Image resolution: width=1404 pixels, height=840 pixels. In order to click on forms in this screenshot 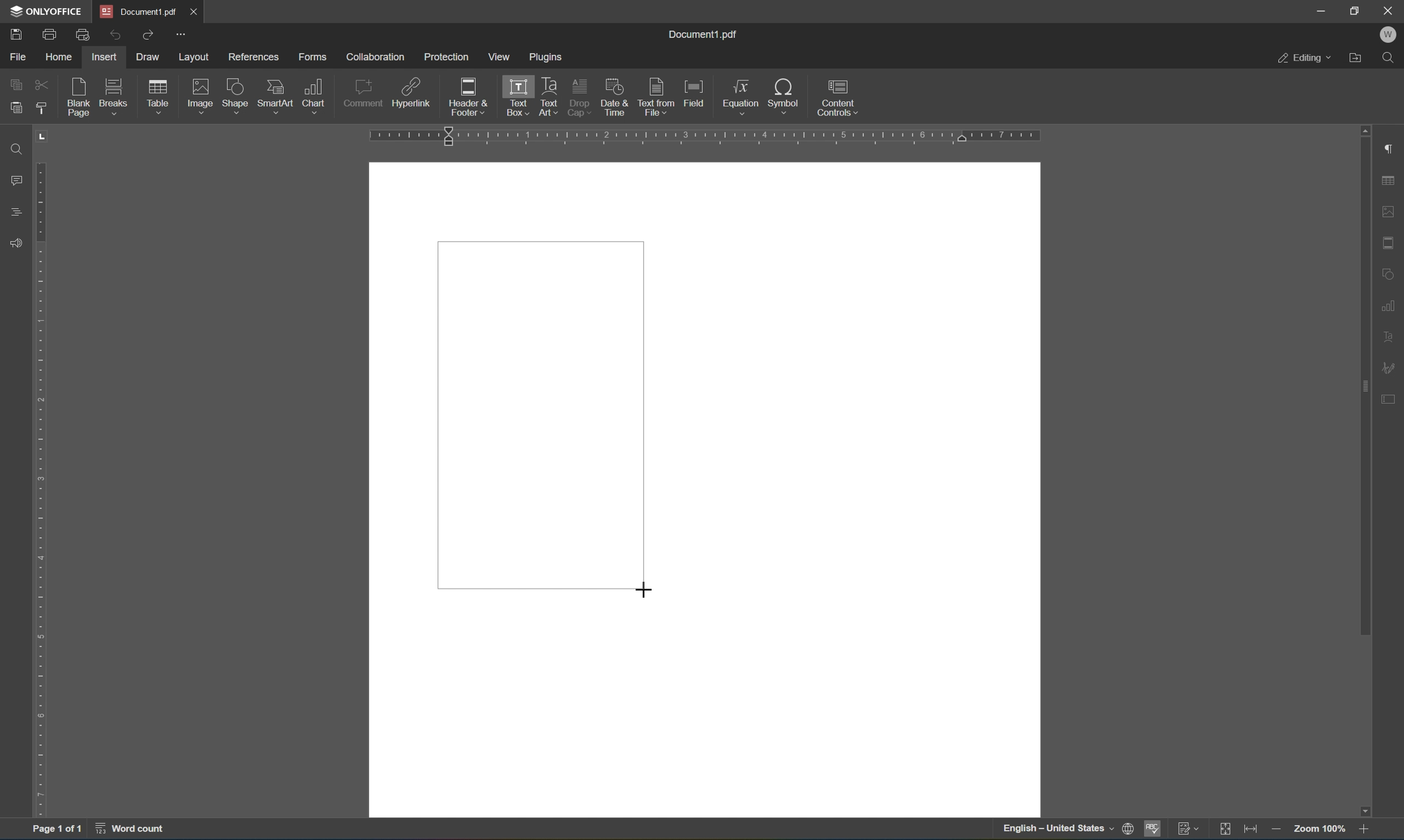, I will do `click(313, 57)`.